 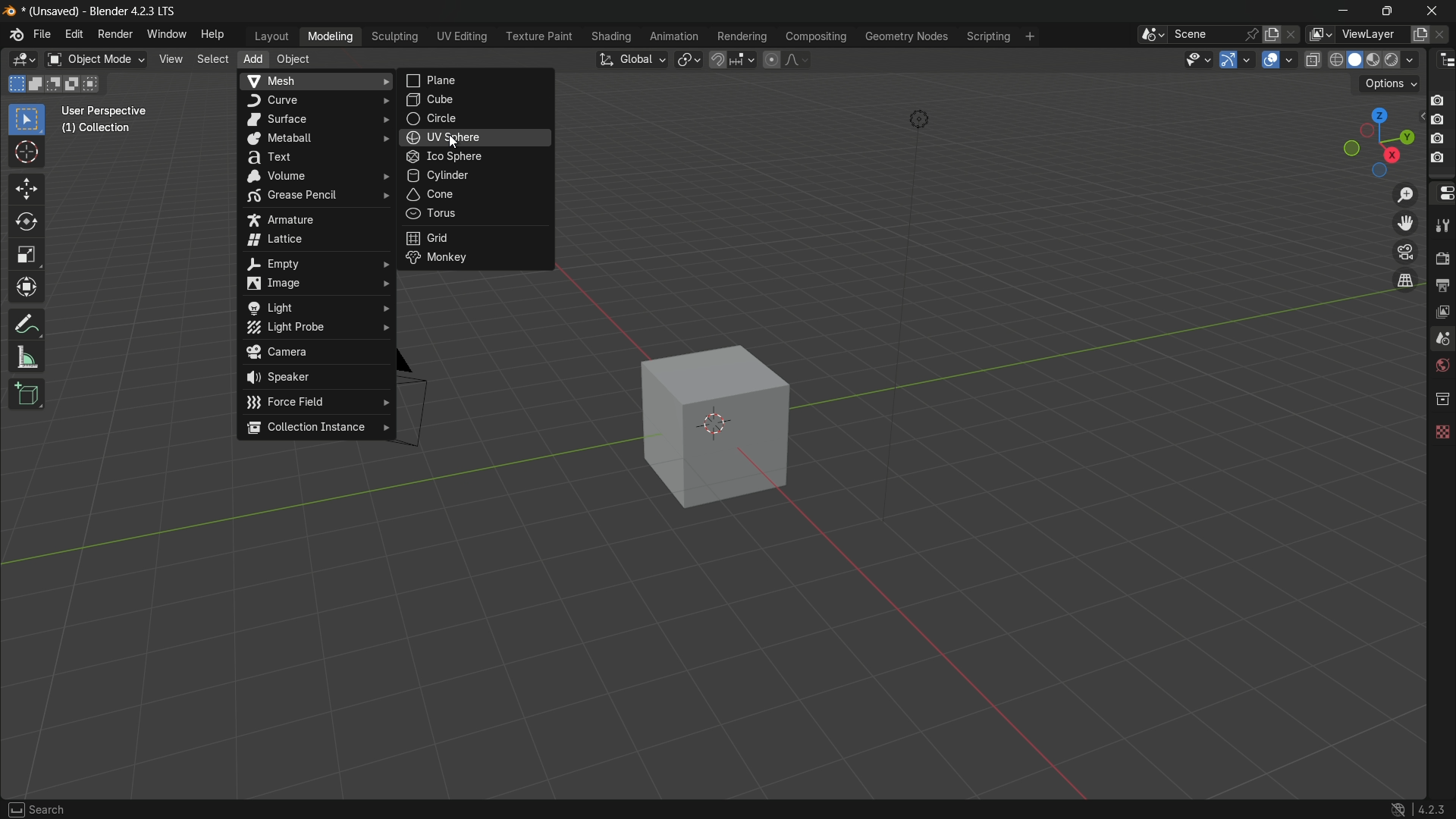 I want to click on logo, so click(x=14, y=34).